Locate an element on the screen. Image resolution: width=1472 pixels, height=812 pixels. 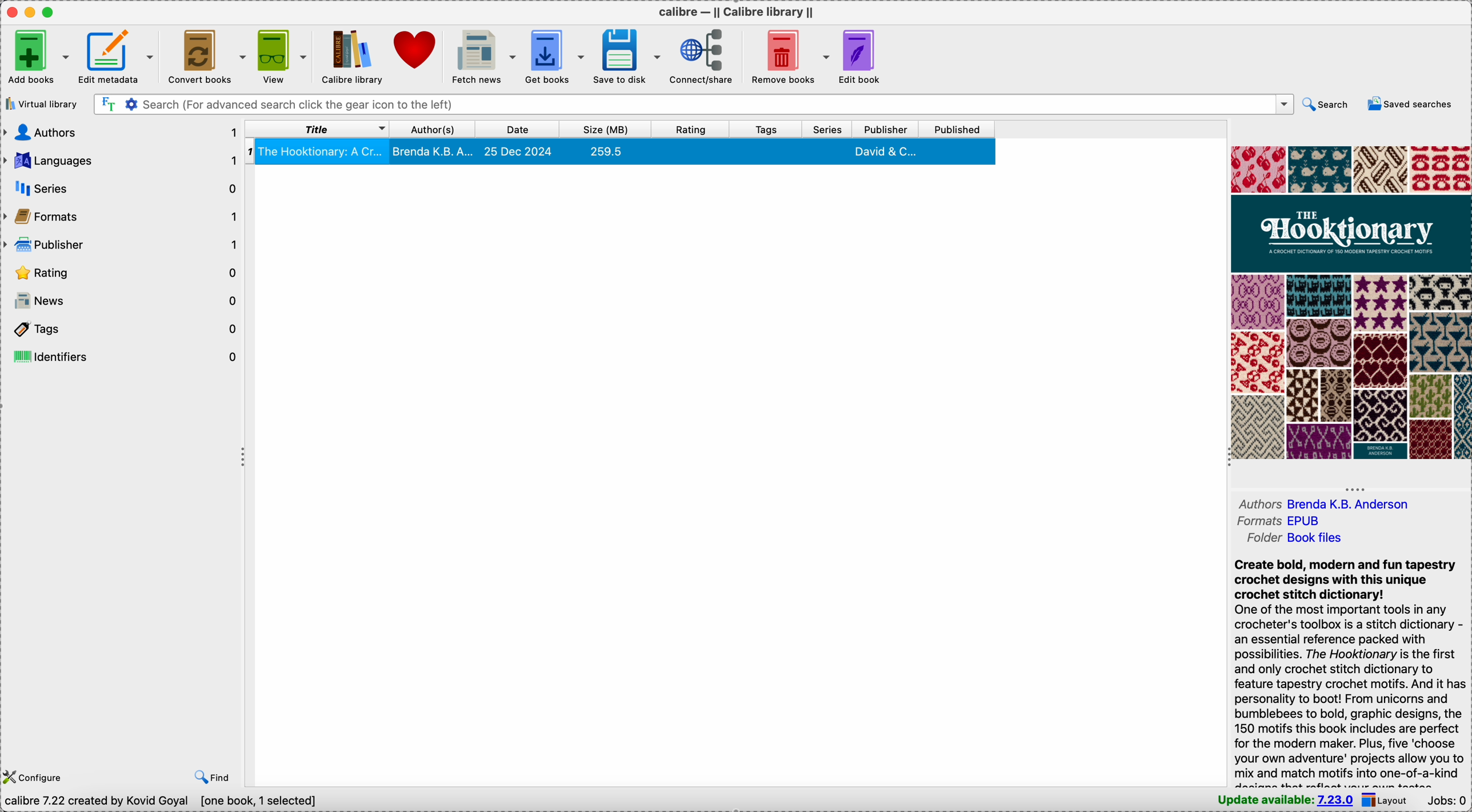
donate is located at coordinates (412, 51).